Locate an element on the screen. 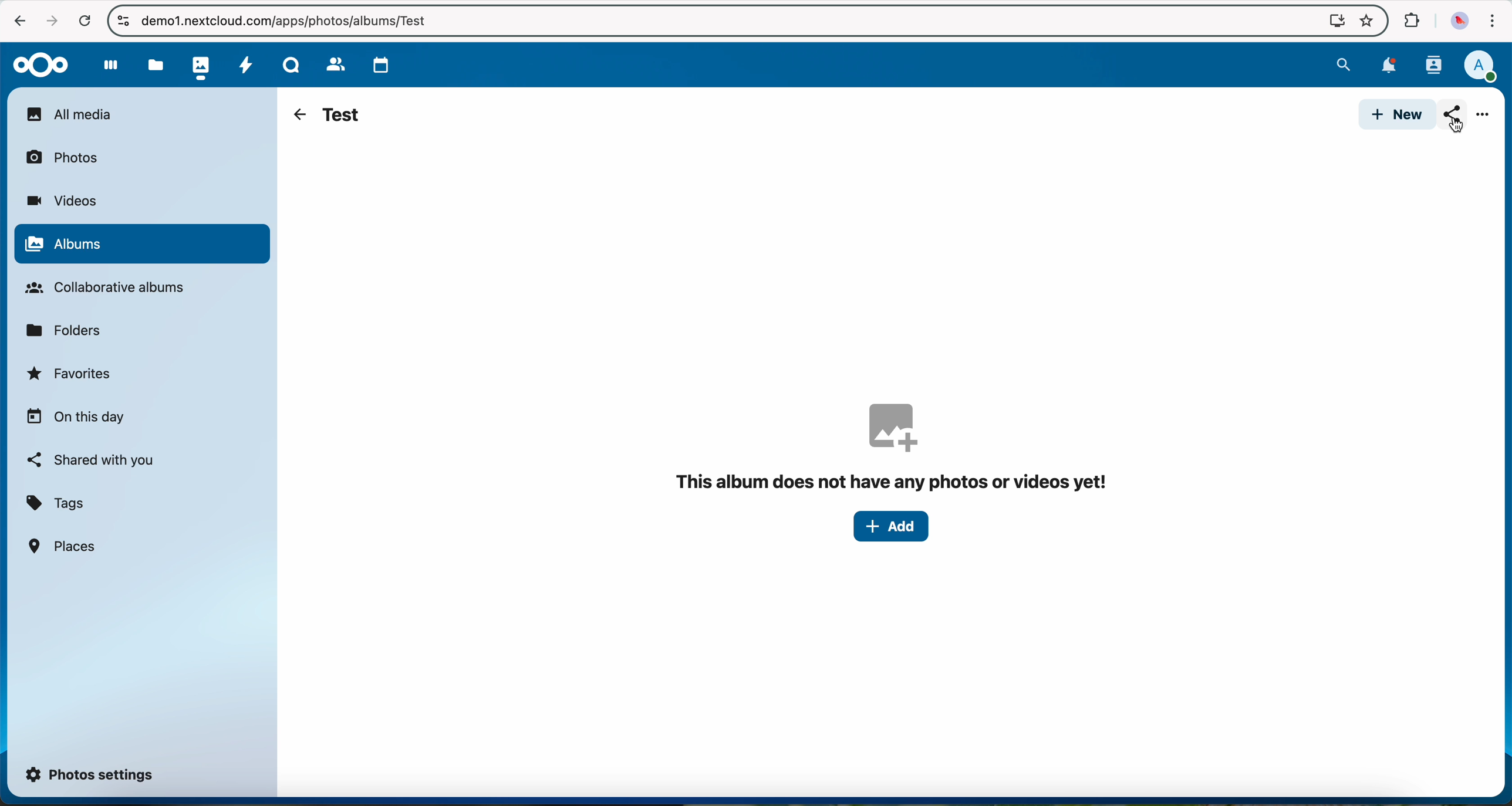  places is located at coordinates (64, 546).